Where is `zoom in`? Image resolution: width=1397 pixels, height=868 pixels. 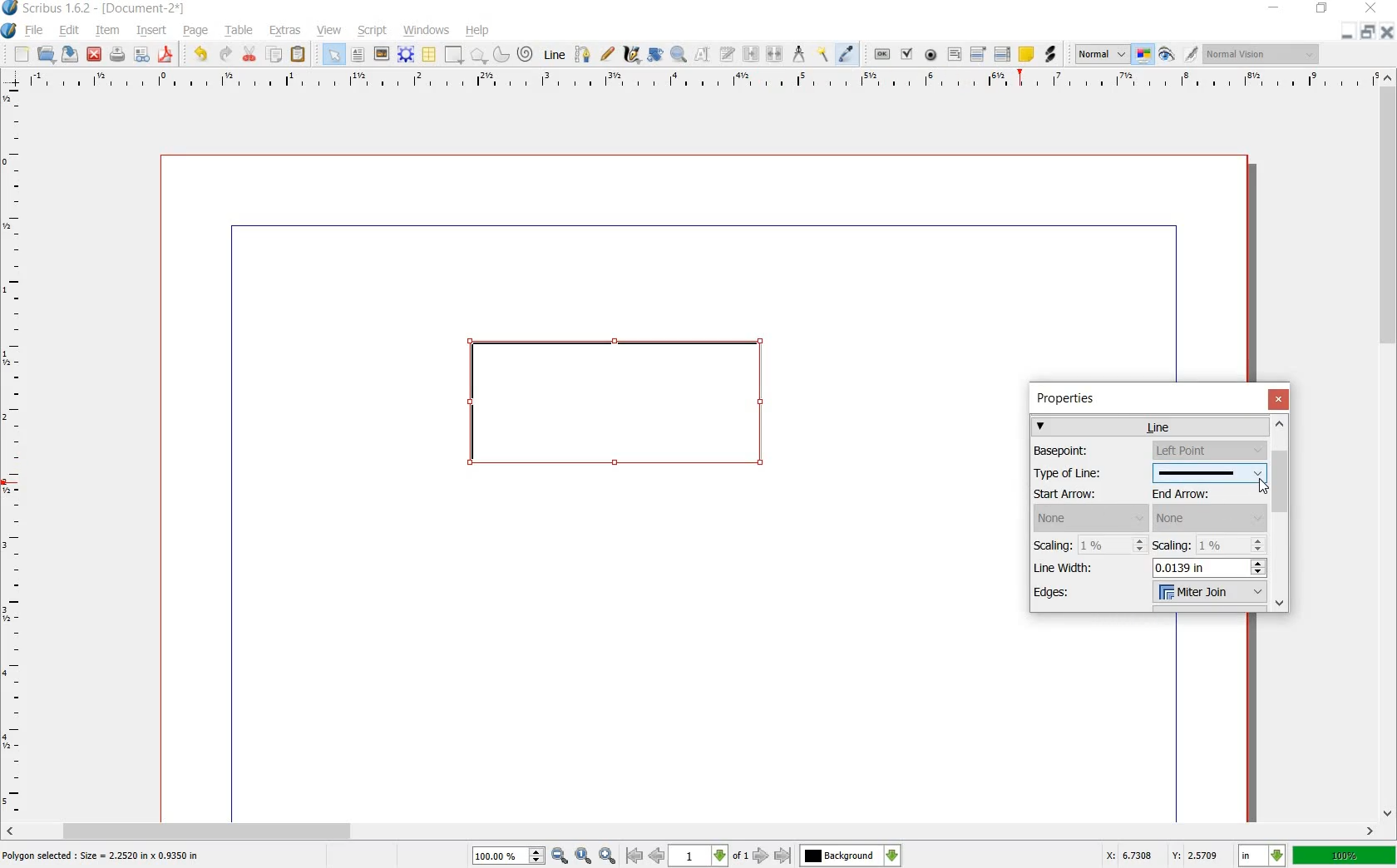 zoom in is located at coordinates (608, 856).